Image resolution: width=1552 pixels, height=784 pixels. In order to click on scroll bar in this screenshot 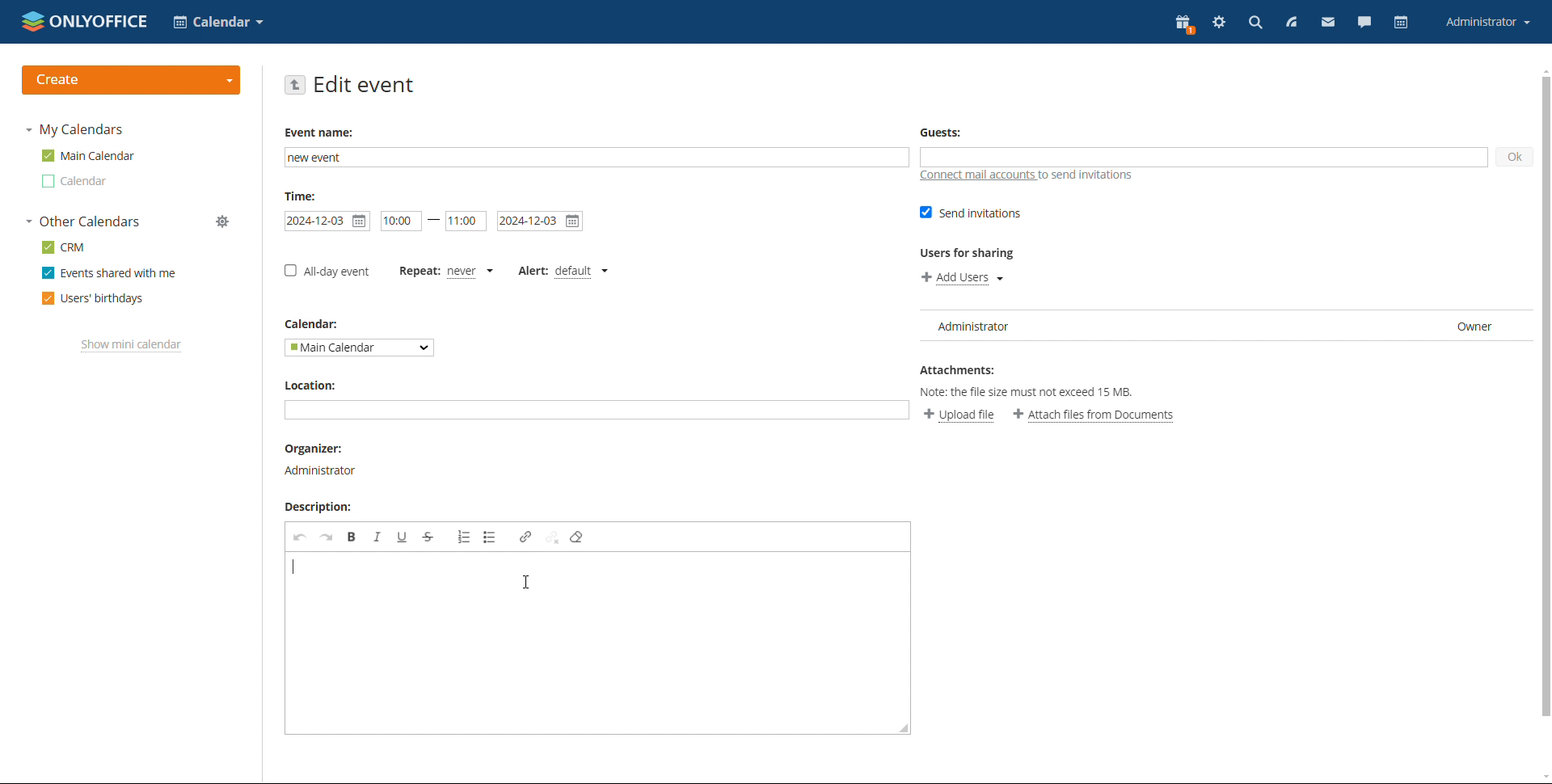, I will do `click(1542, 398)`.